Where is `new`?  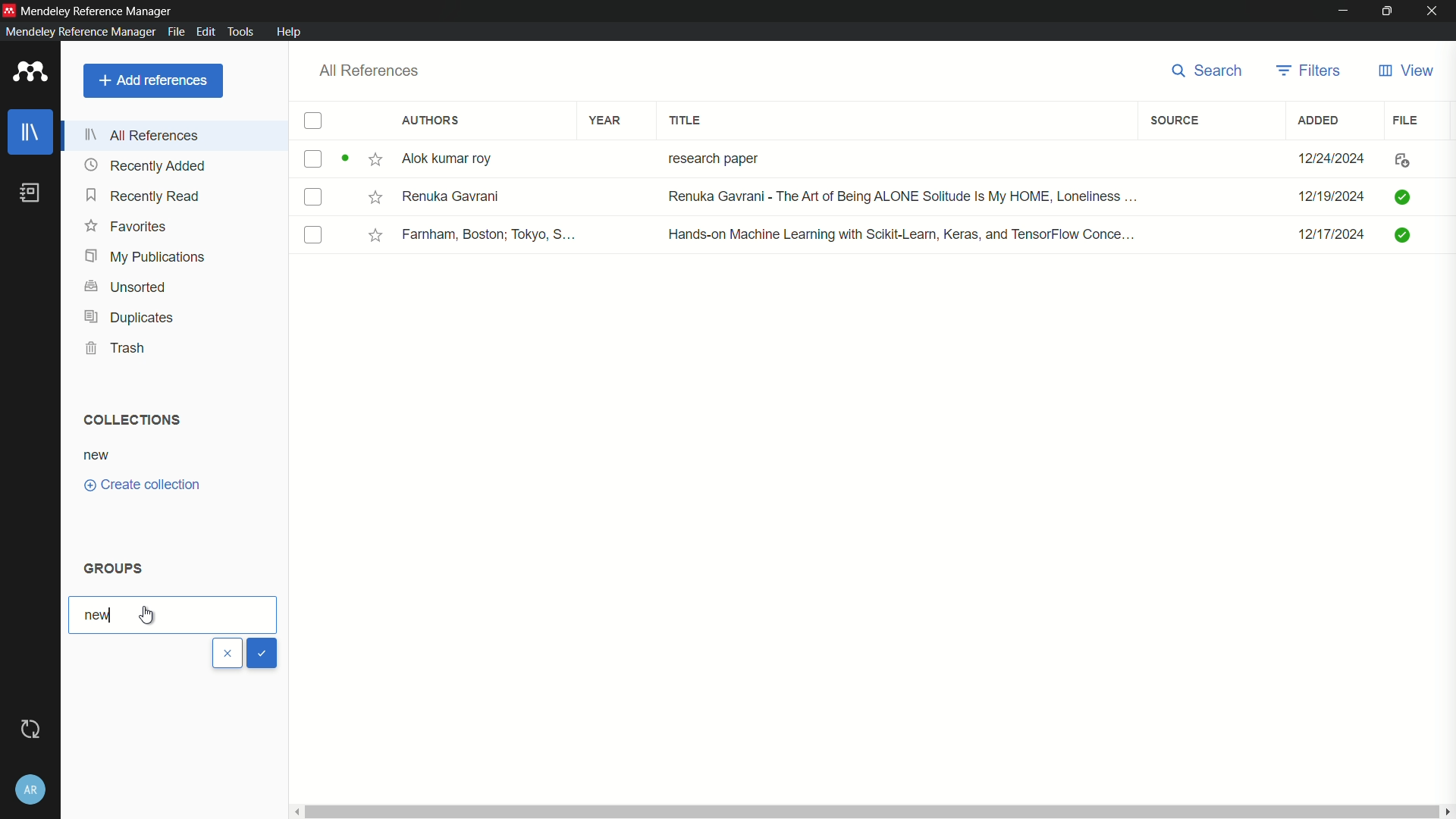 new is located at coordinates (97, 455).